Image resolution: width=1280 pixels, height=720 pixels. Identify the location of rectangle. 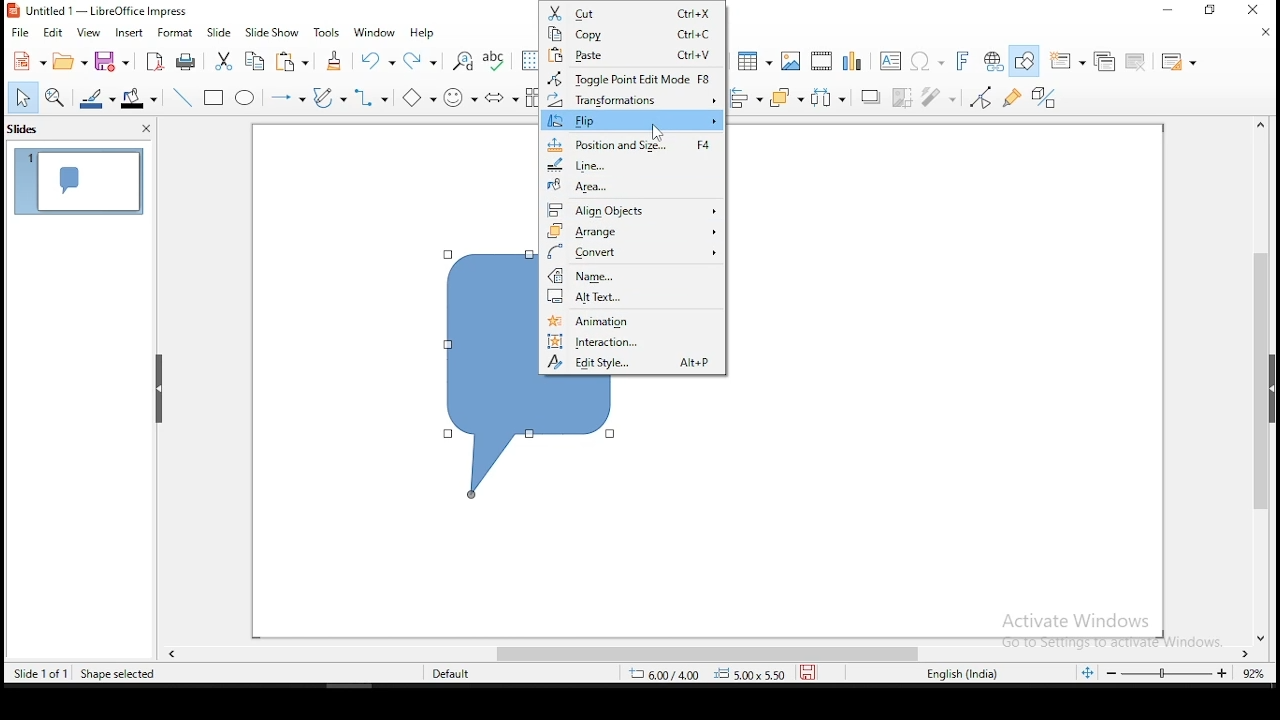
(215, 98).